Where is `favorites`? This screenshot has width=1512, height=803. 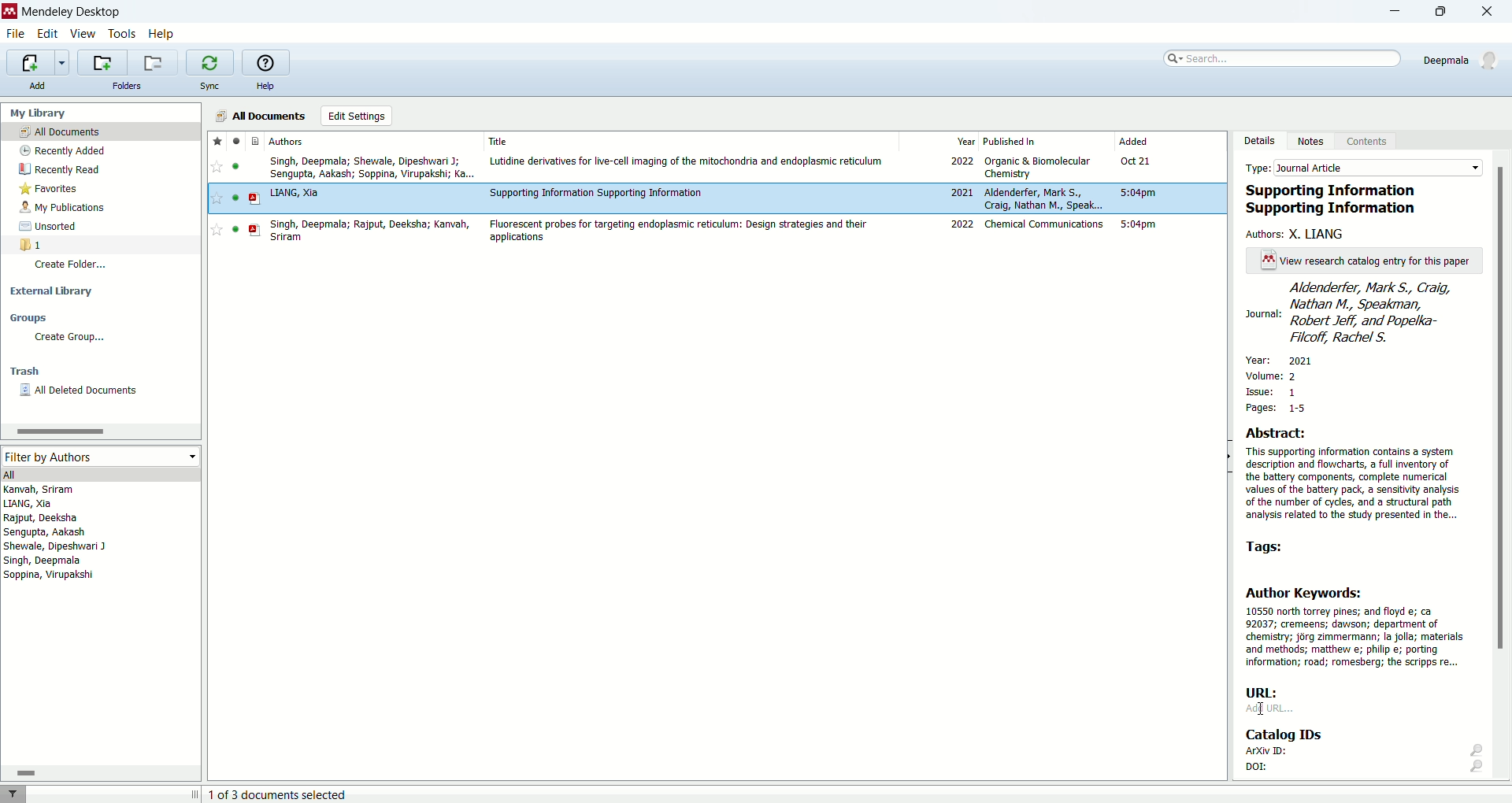
favorites is located at coordinates (54, 189).